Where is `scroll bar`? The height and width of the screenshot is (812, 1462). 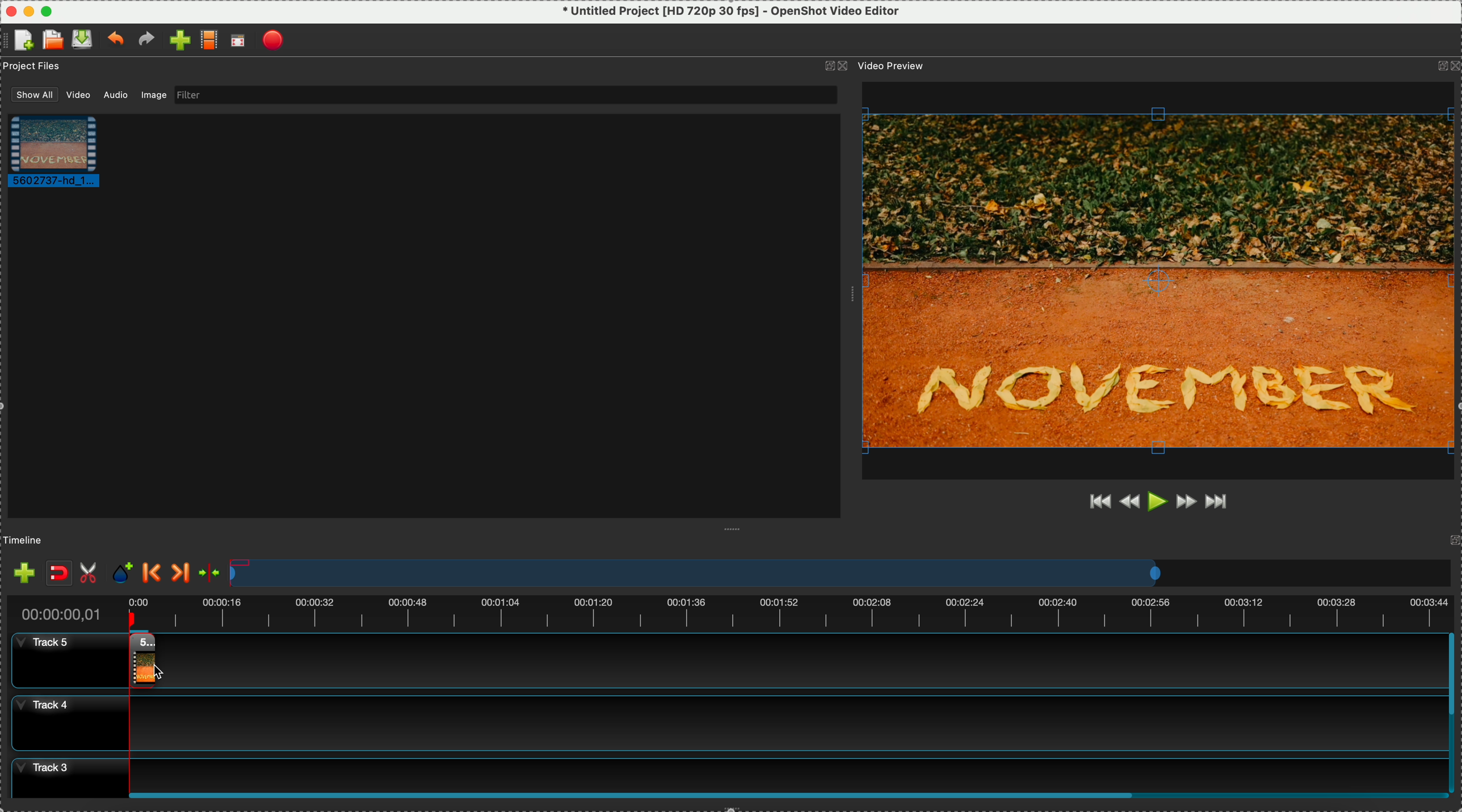
scroll bar is located at coordinates (1453, 710).